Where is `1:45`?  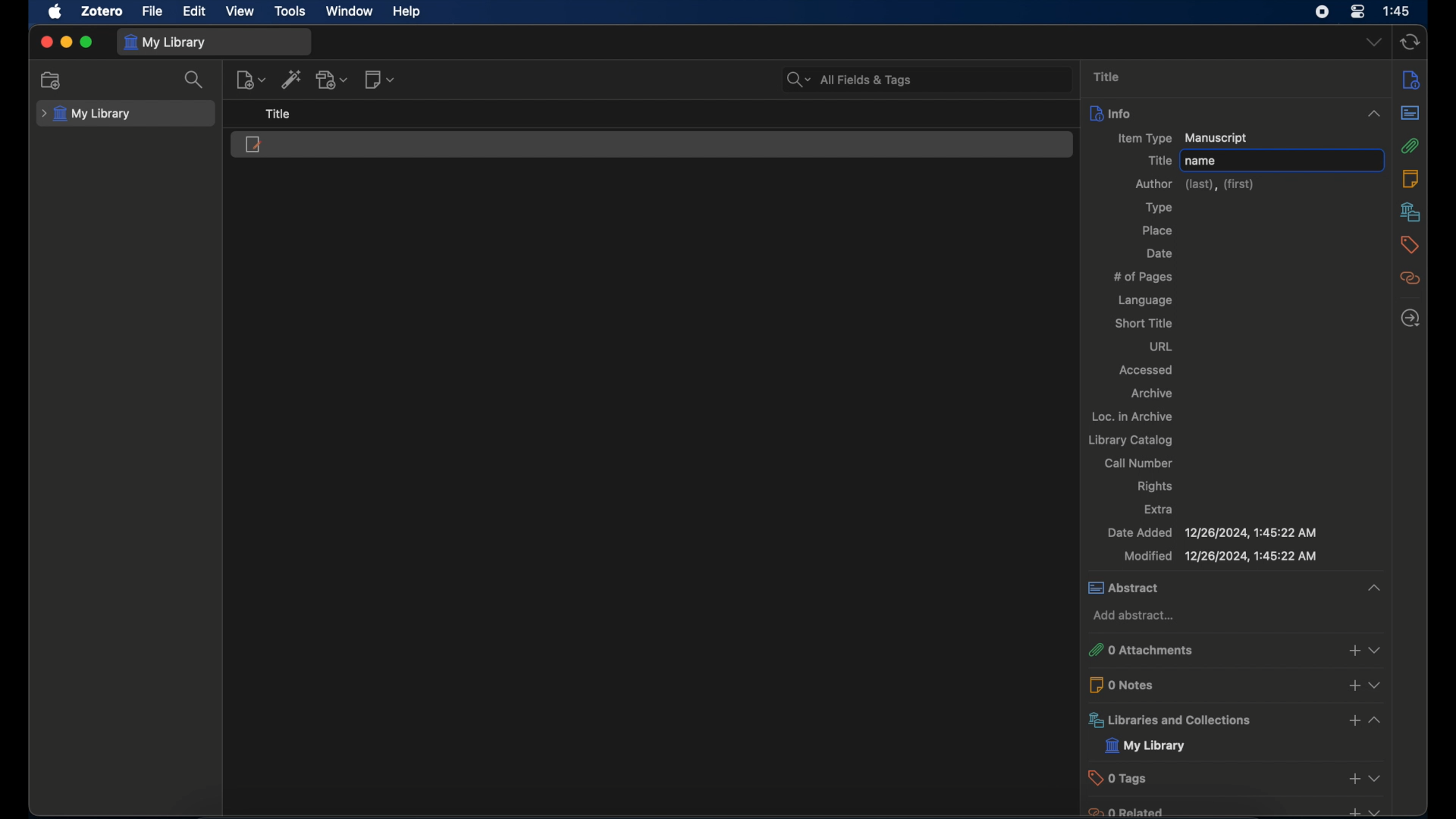 1:45 is located at coordinates (1398, 11).